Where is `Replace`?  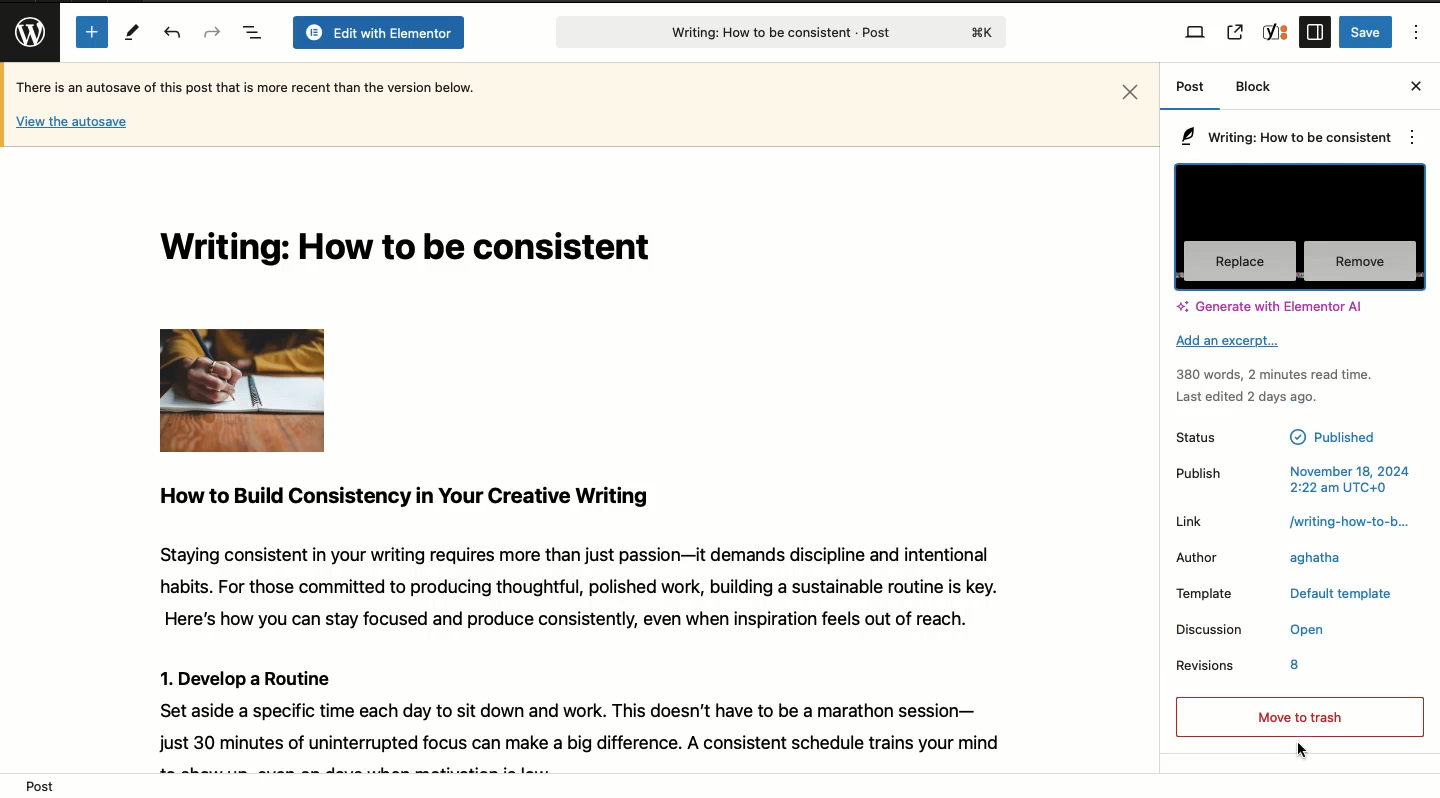 Replace is located at coordinates (1240, 262).